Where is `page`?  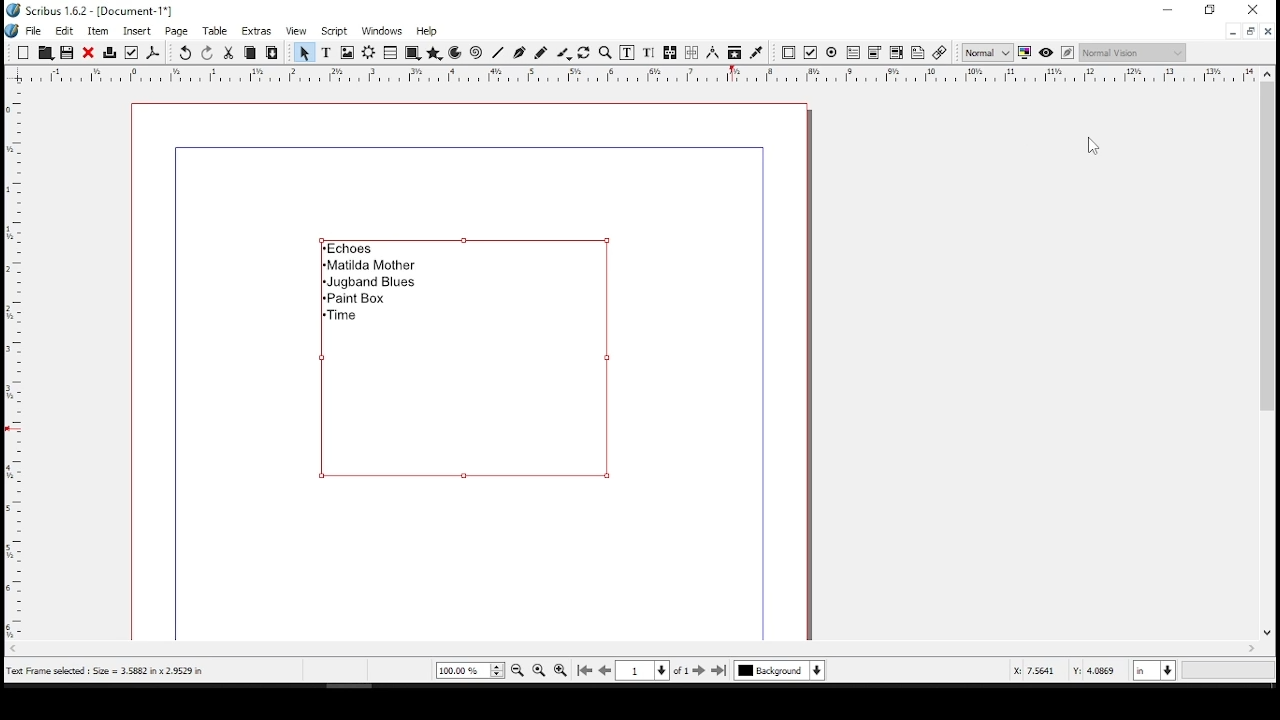
page is located at coordinates (178, 31).